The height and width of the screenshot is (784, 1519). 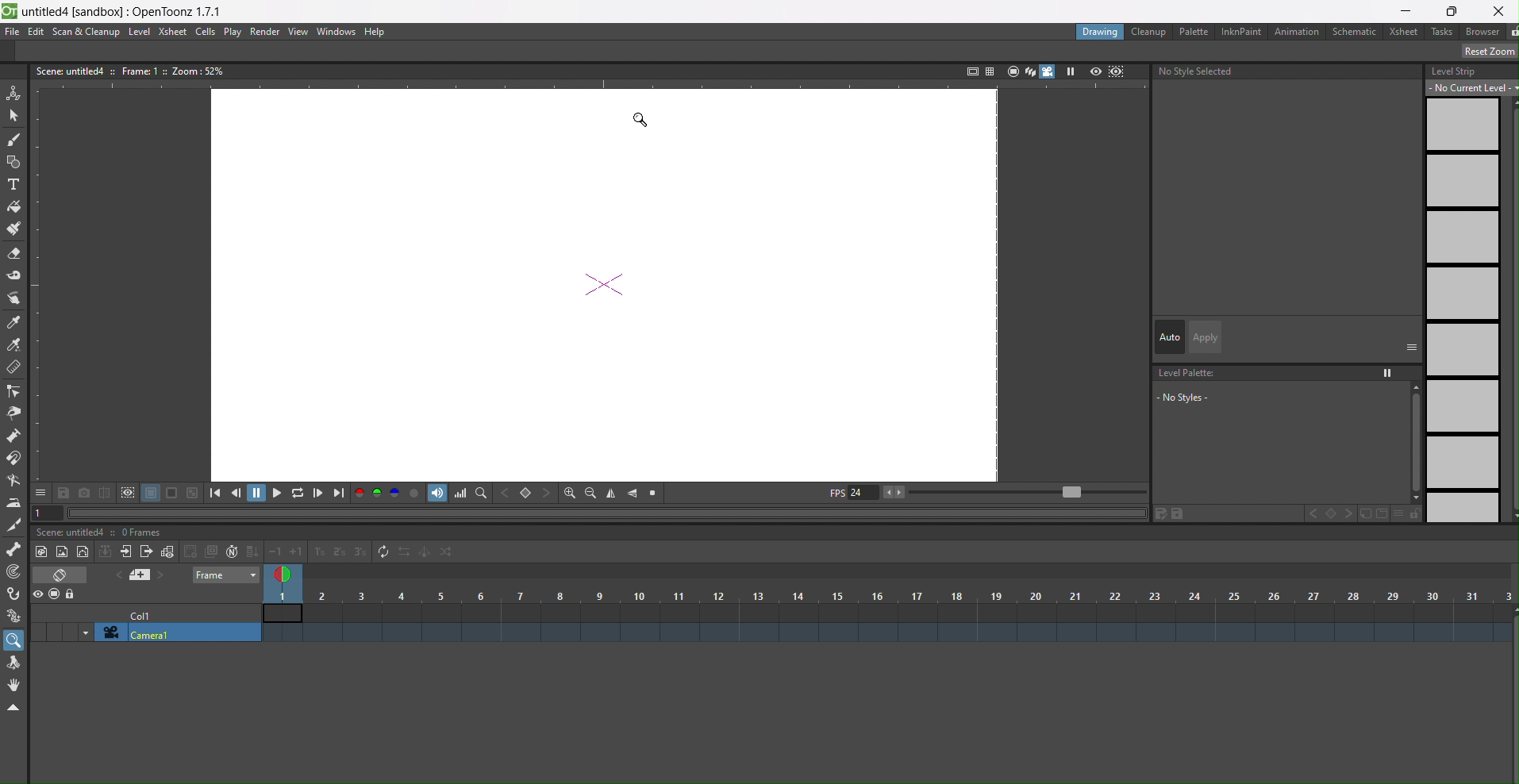 What do you see at coordinates (234, 33) in the screenshot?
I see `play` at bounding box center [234, 33].